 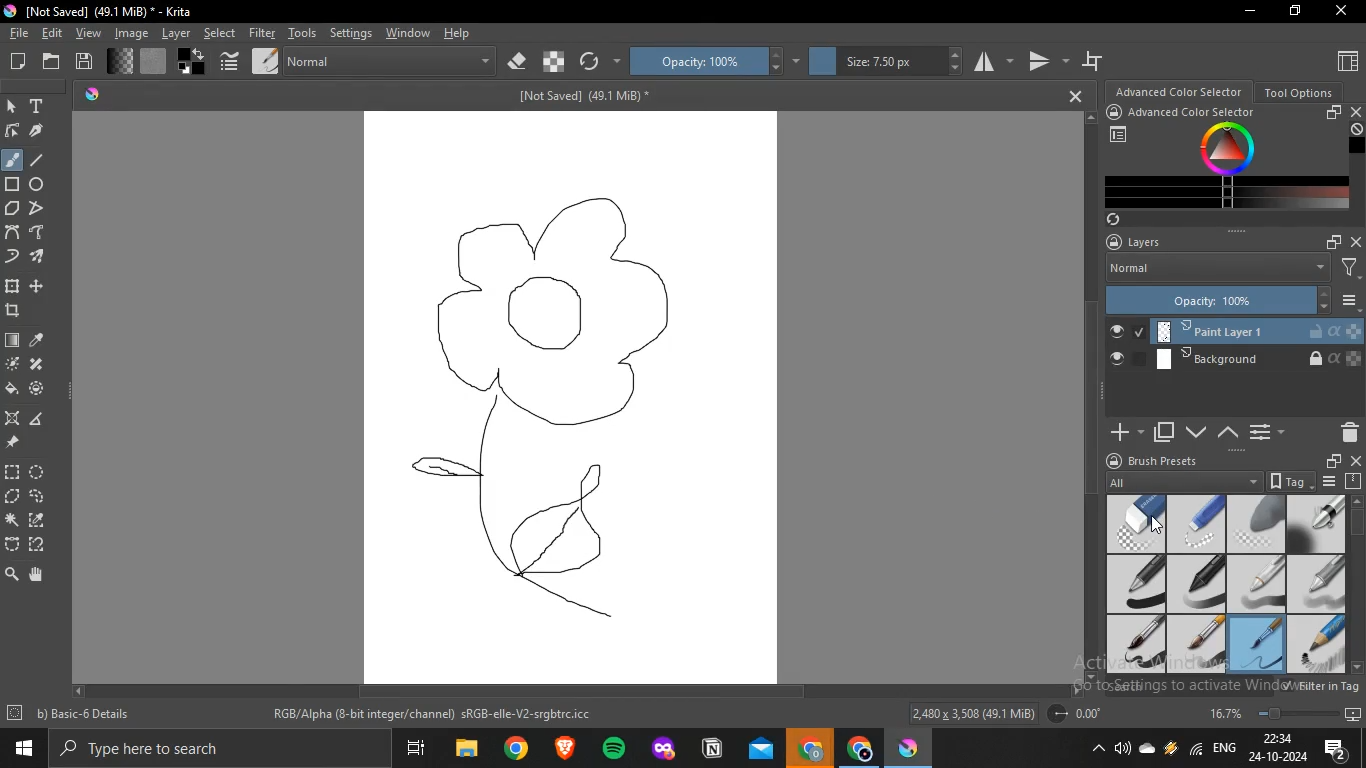 What do you see at coordinates (77, 690) in the screenshot?
I see `left` at bounding box center [77, 690].